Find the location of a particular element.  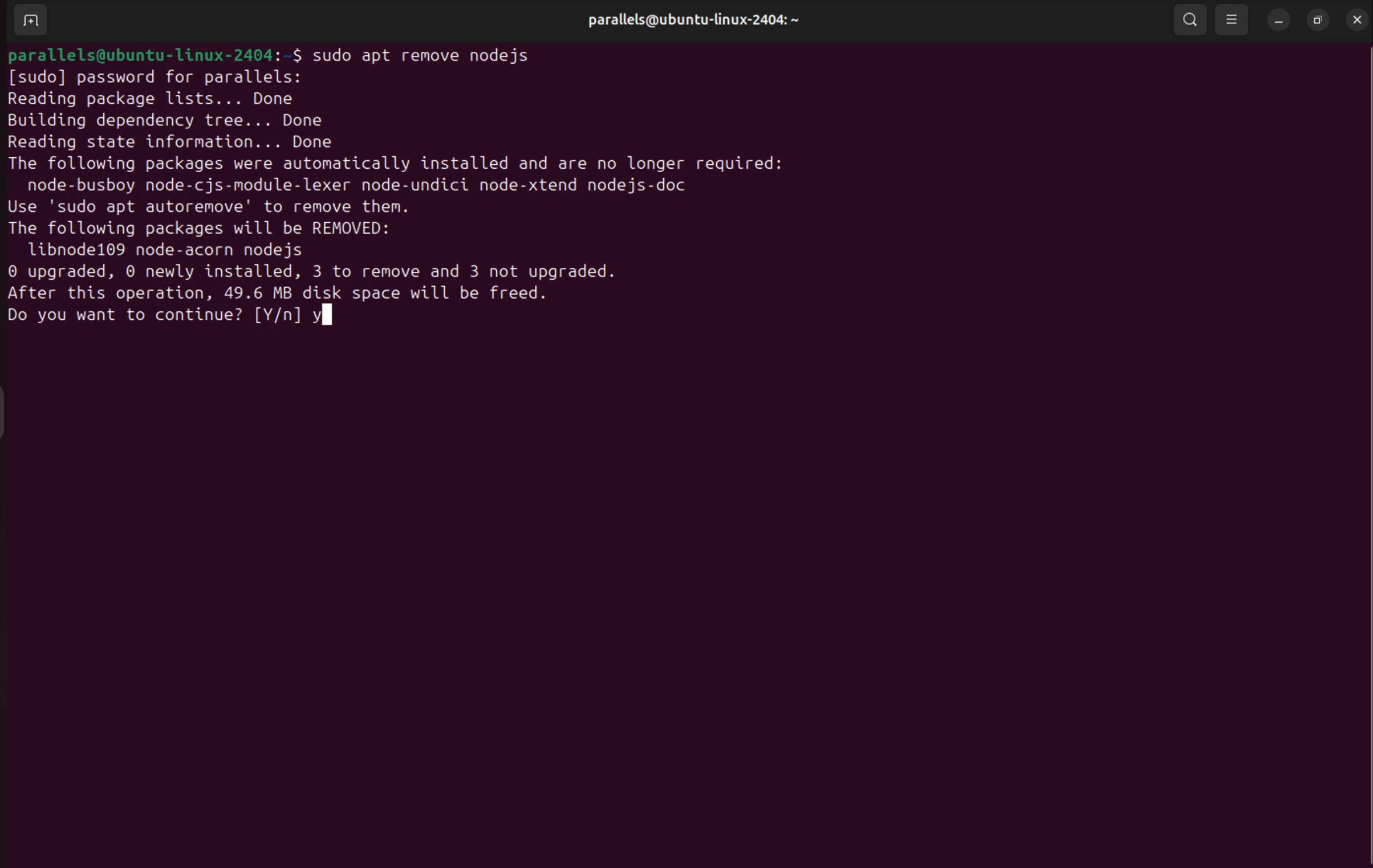

parallels@ubuntu-linux-2404: ~ is located at coordinates (692, 19).